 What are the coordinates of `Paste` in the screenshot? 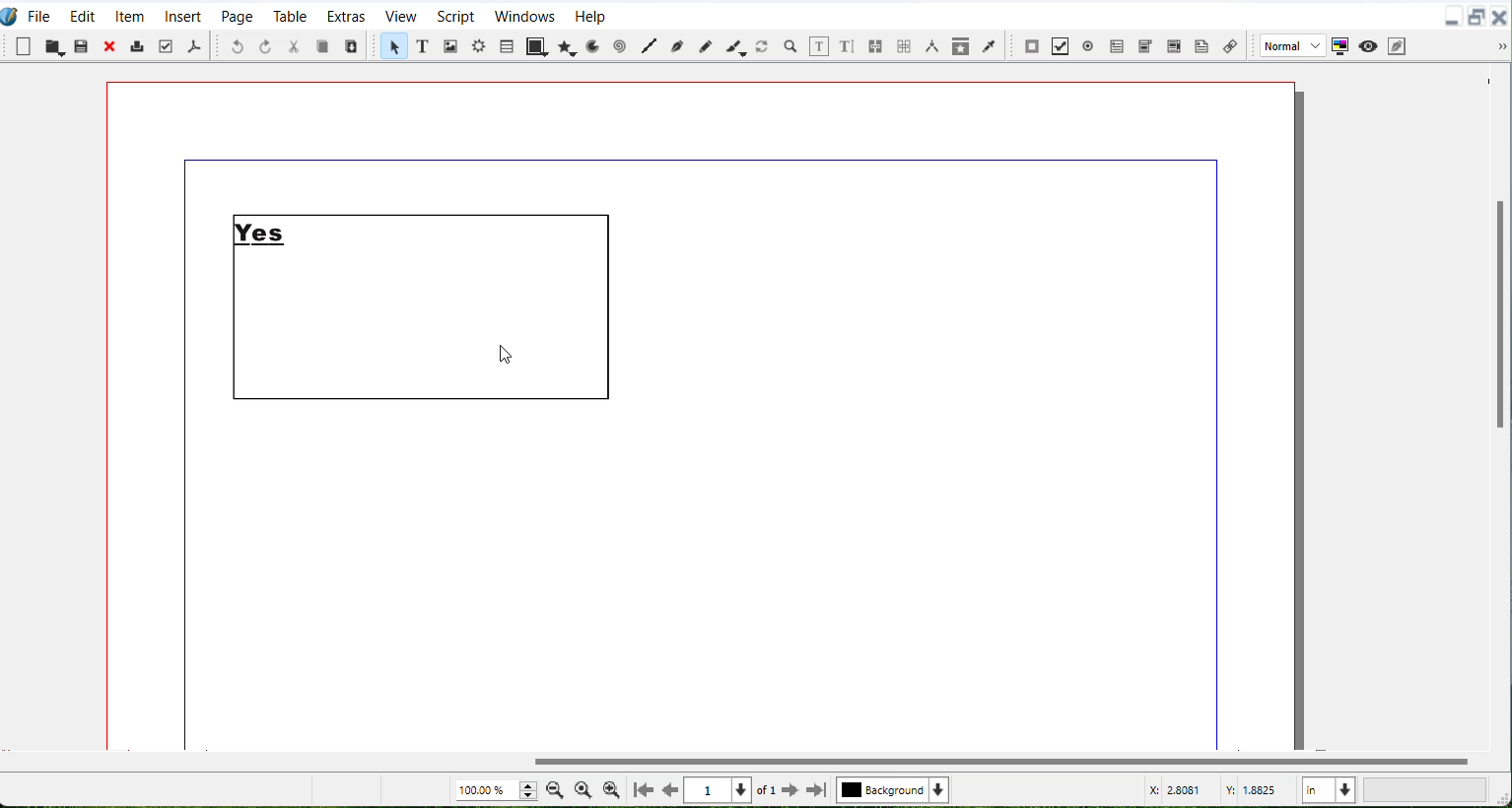 It's located at (352, 45).